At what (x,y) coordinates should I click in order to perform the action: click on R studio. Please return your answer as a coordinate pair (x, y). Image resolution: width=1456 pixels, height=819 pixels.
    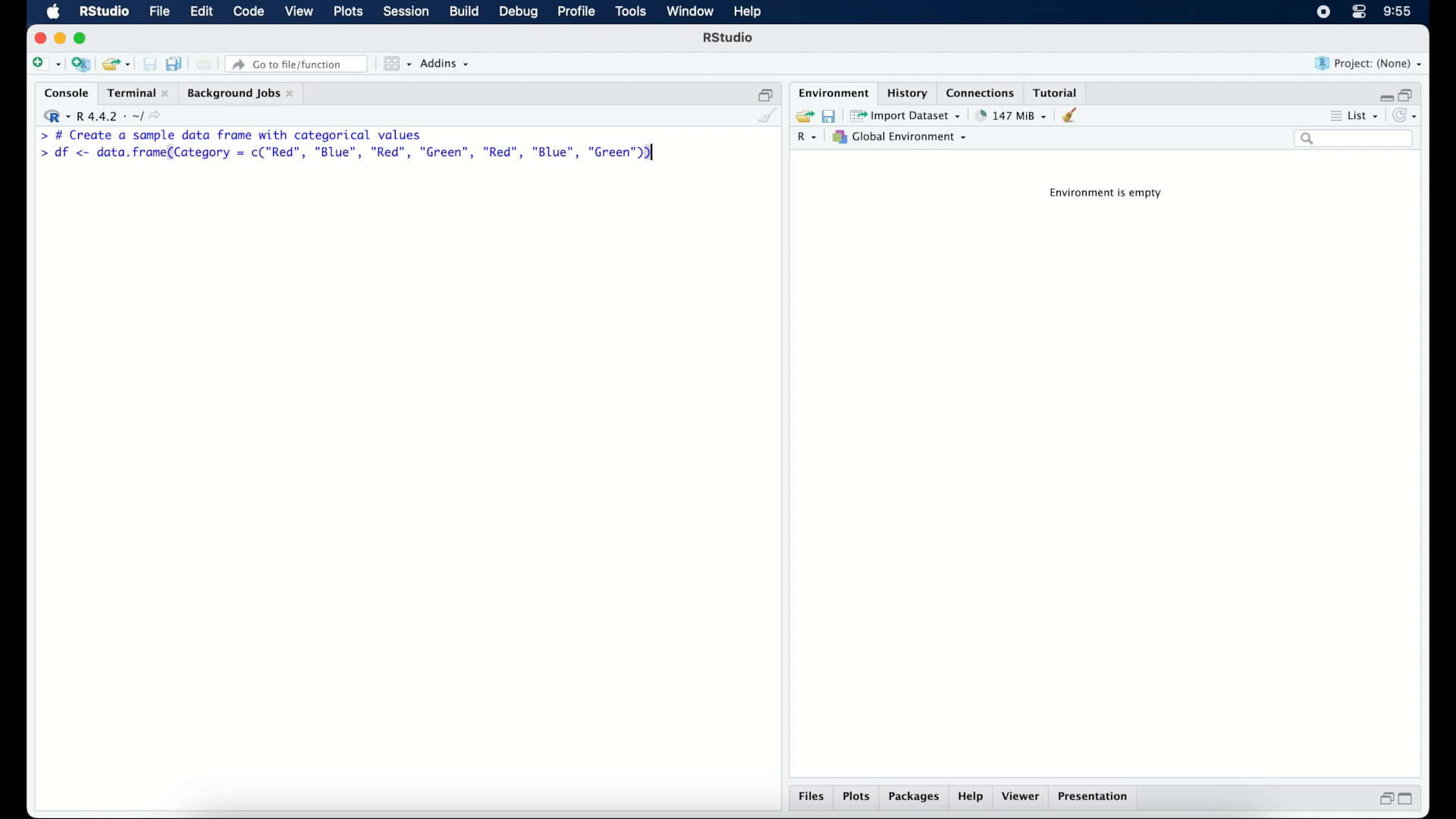
    Looking at the image, I should click on (104, 12).